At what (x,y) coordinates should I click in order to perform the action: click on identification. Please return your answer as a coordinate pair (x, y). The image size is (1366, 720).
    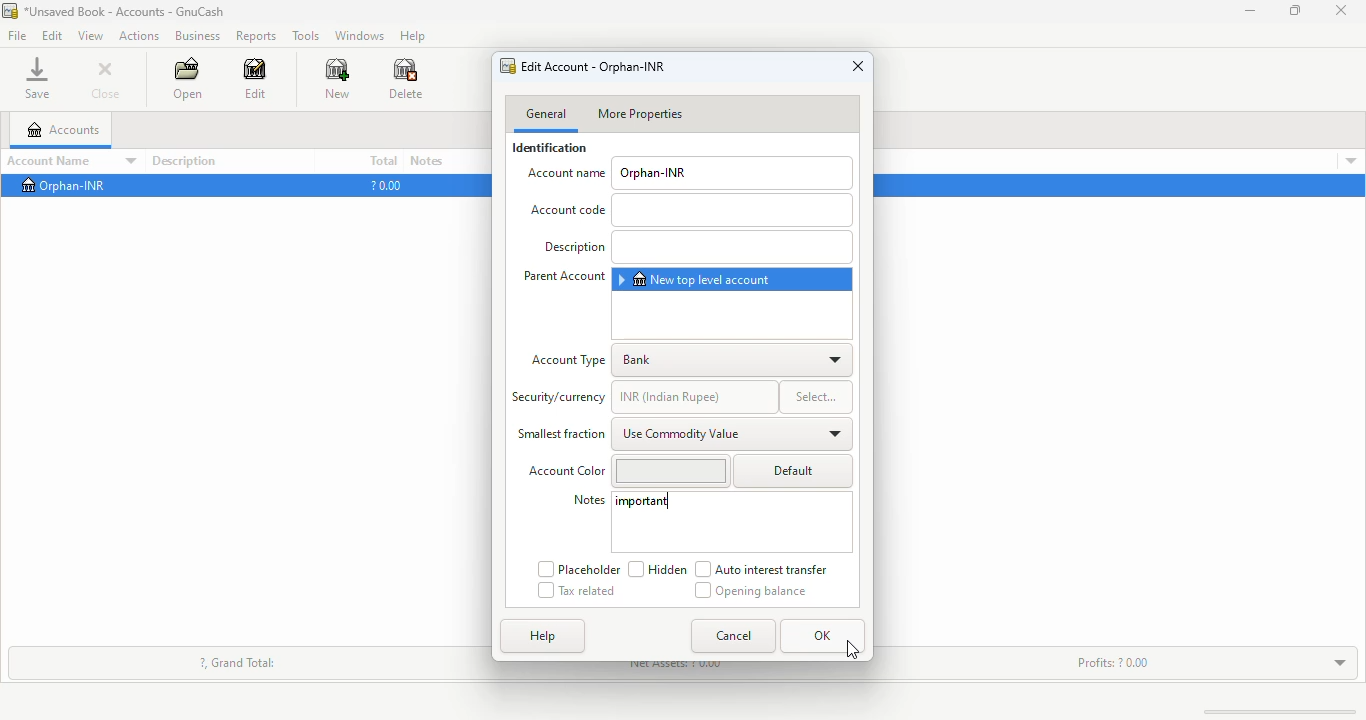
    Looking at the image, I should click on (549, 148).